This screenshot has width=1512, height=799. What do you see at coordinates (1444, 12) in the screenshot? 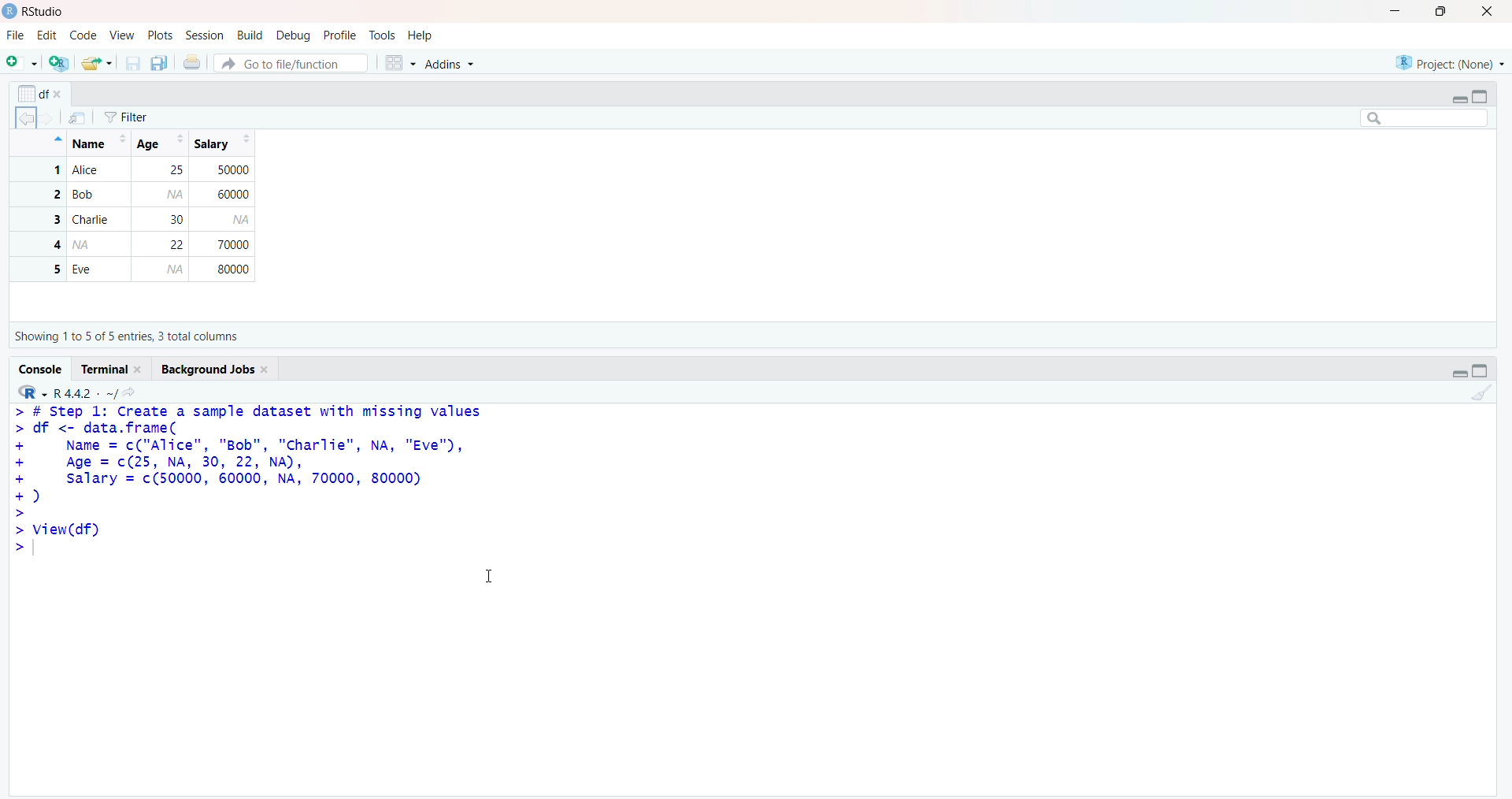
I see `Maximize` at bounding box center [1444, 12].